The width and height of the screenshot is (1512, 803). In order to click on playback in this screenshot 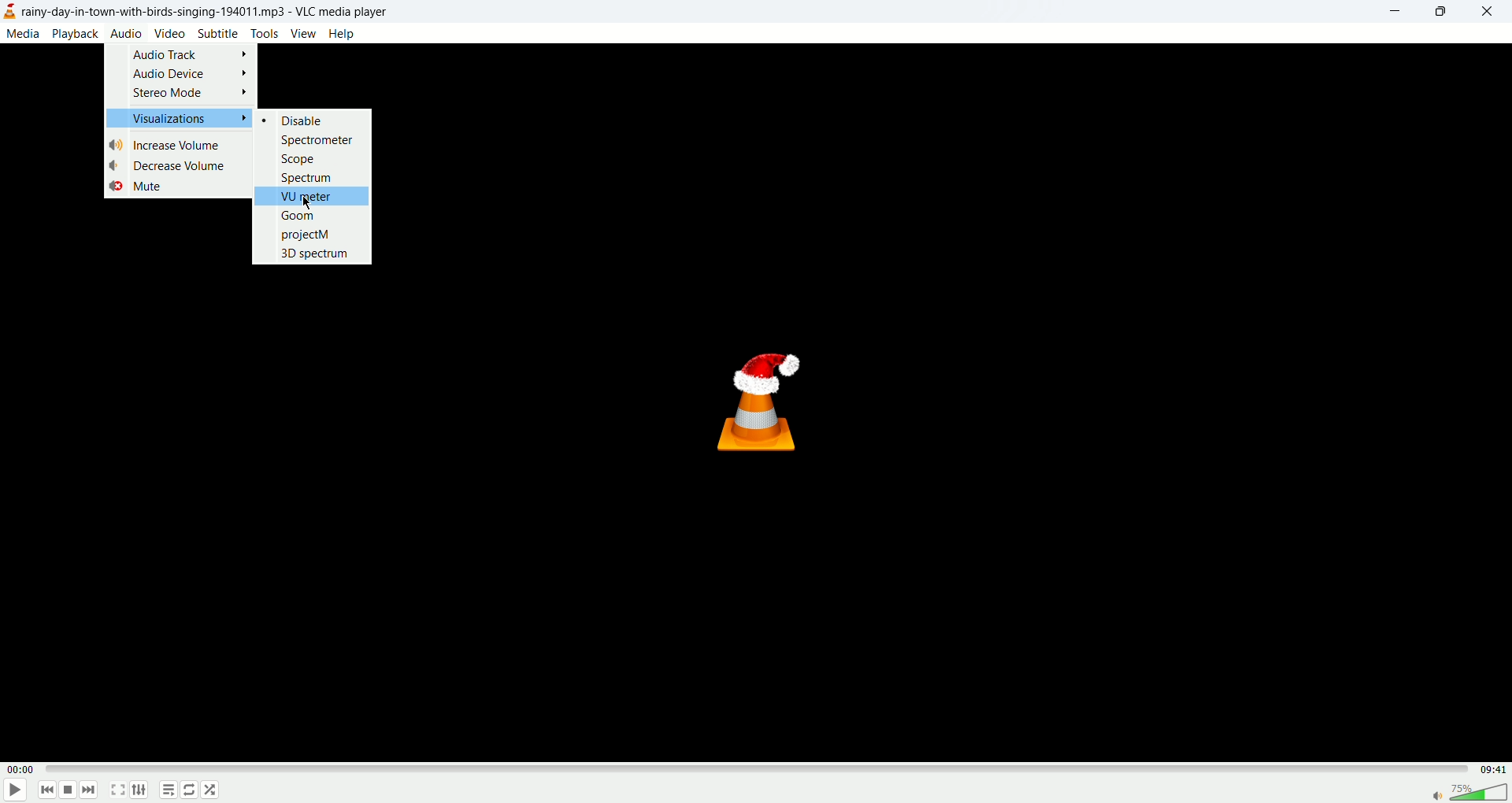, I will do `click(76, 34)`.